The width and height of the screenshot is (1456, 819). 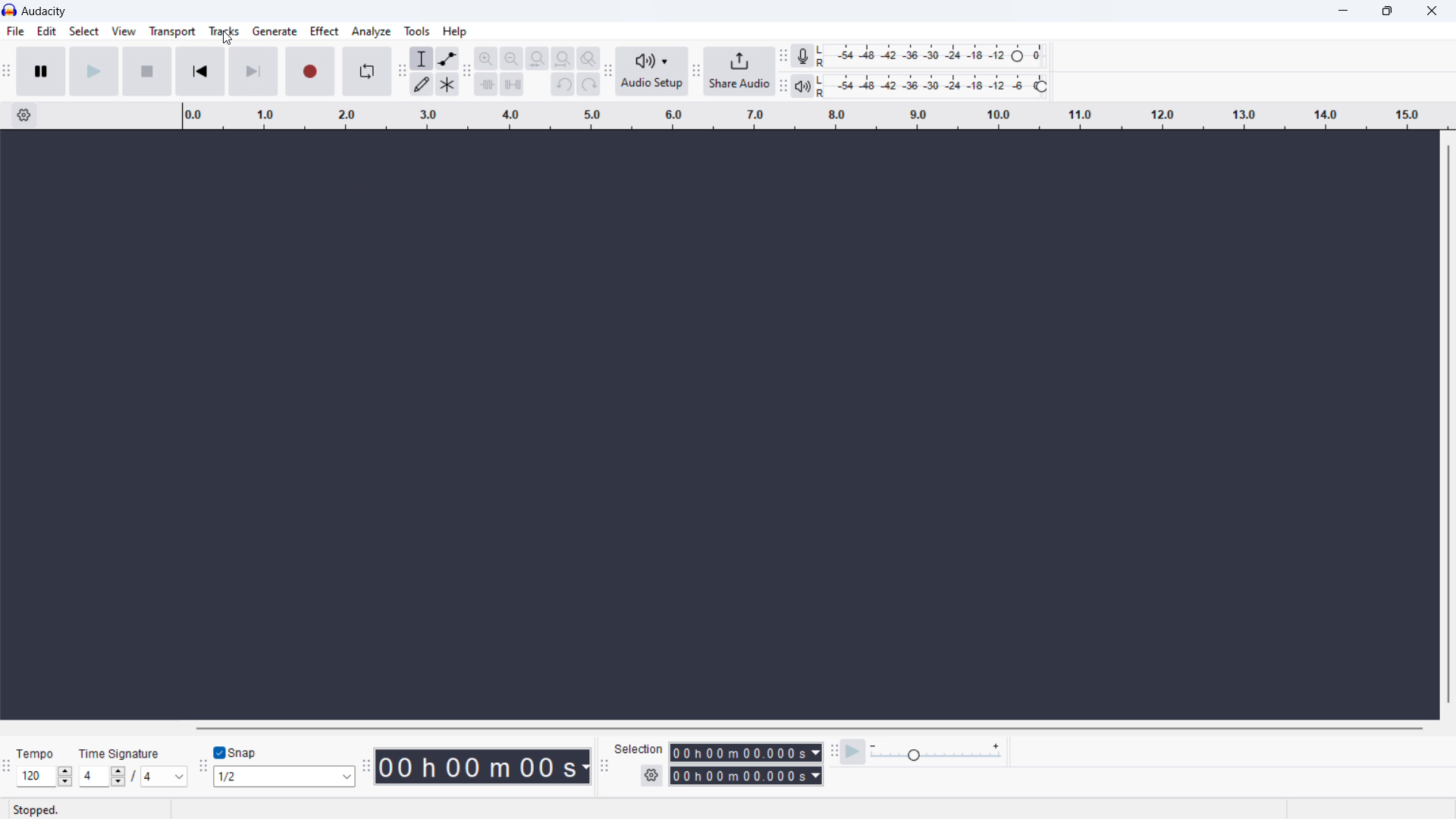 I want to click on skip to start, so click(x=199, y=71).